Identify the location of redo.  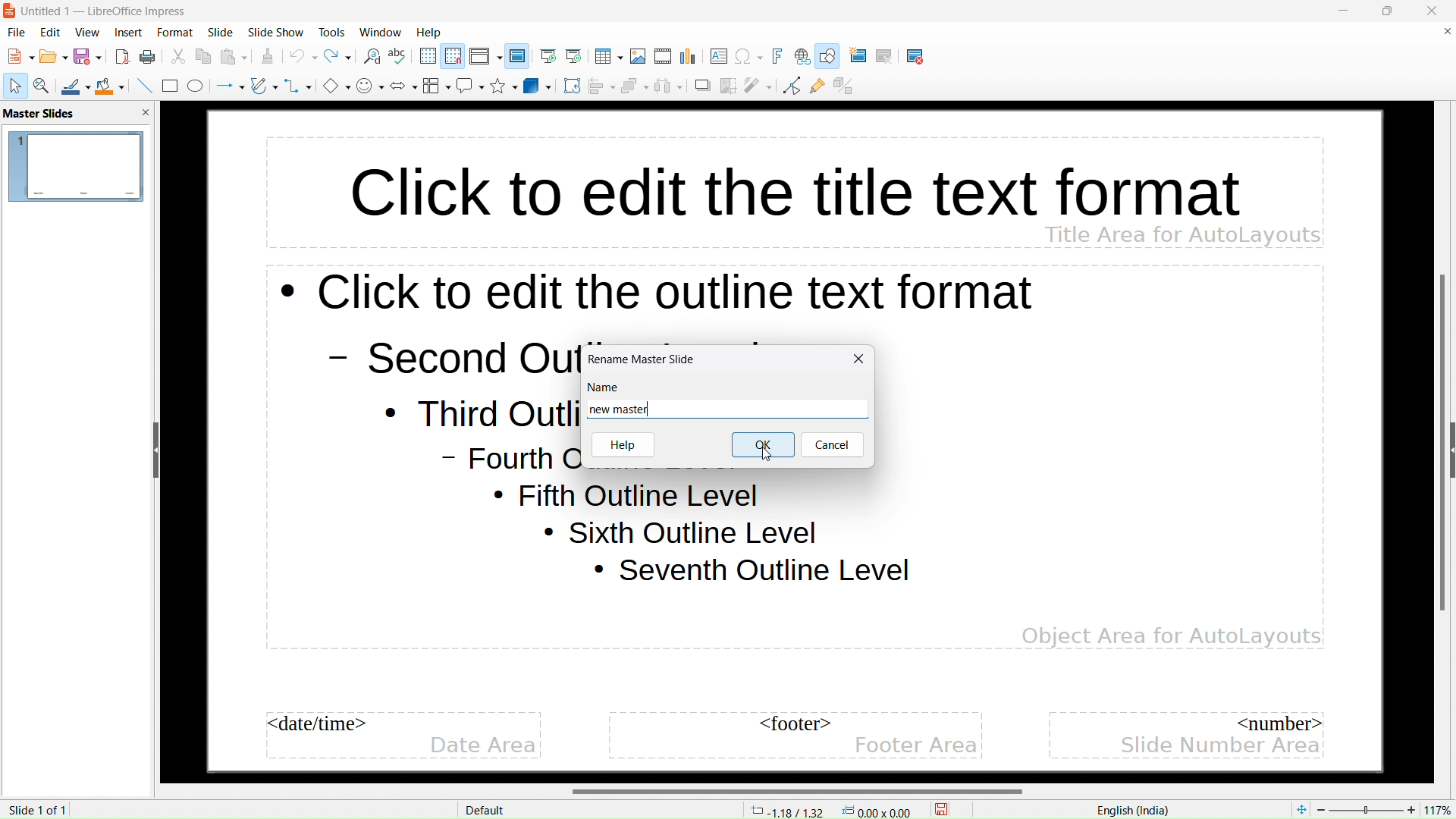
(337, 56).